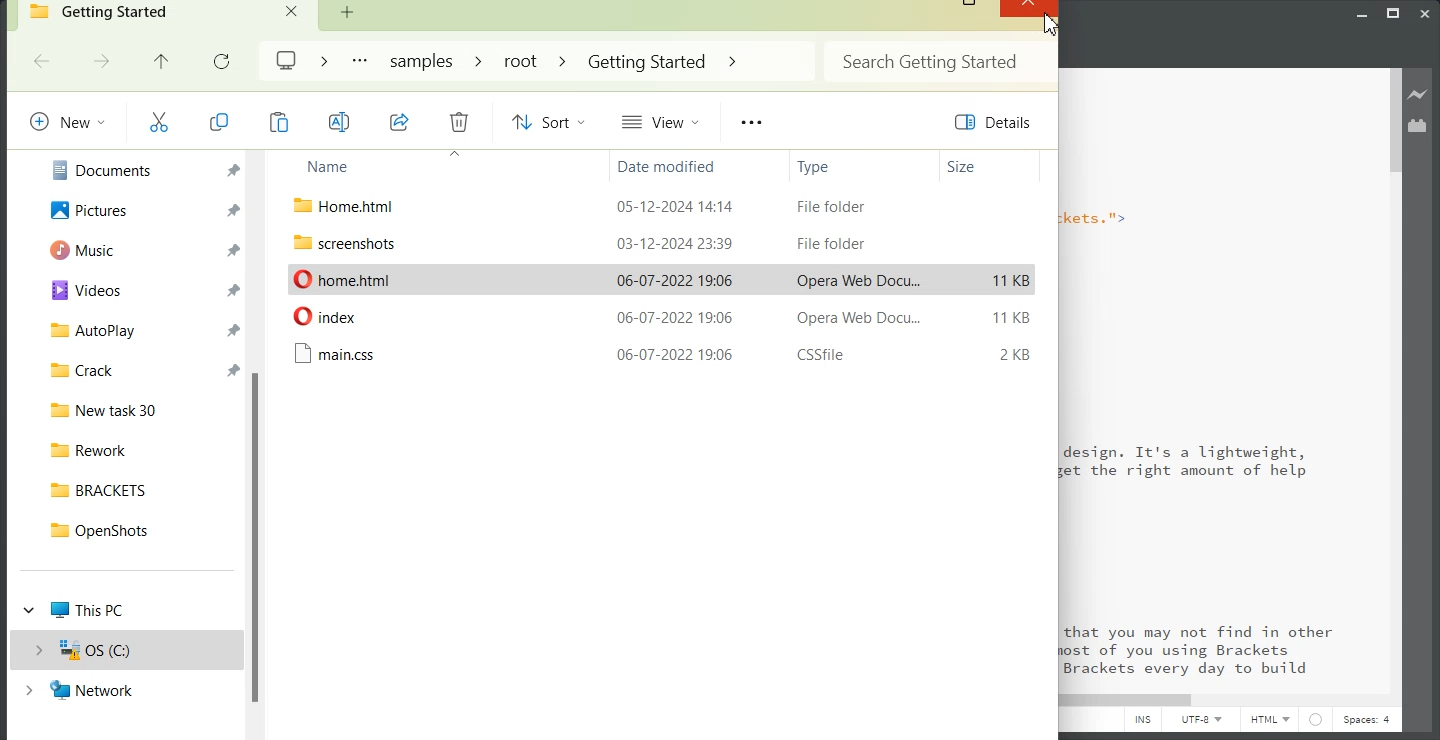 The height and width of the screenshot is (740, 1440). I want to click on Up to previous file, so click(161, 61).